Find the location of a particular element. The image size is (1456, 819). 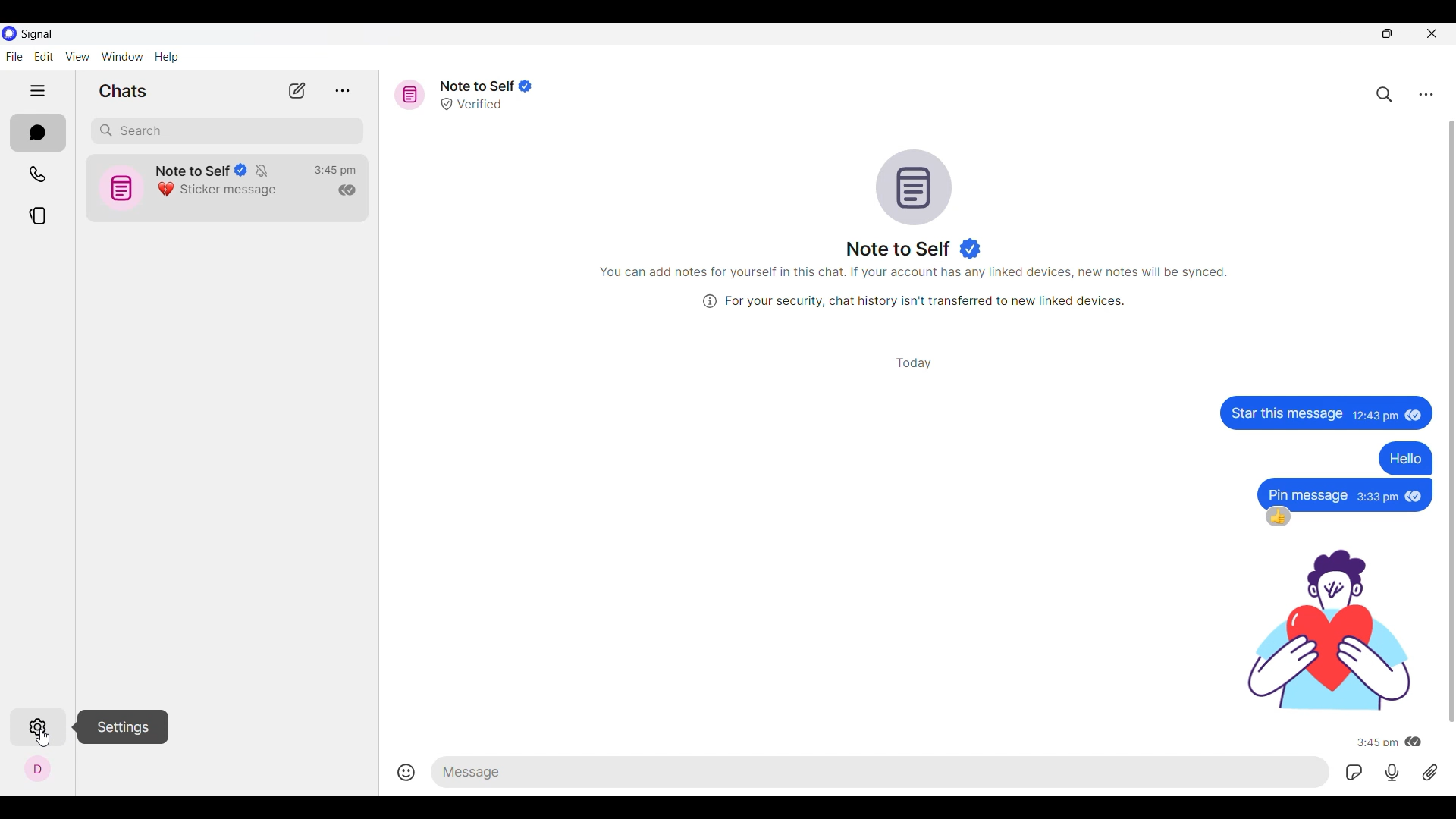

Indicates message has been read is located at coordinates (1414, 417).